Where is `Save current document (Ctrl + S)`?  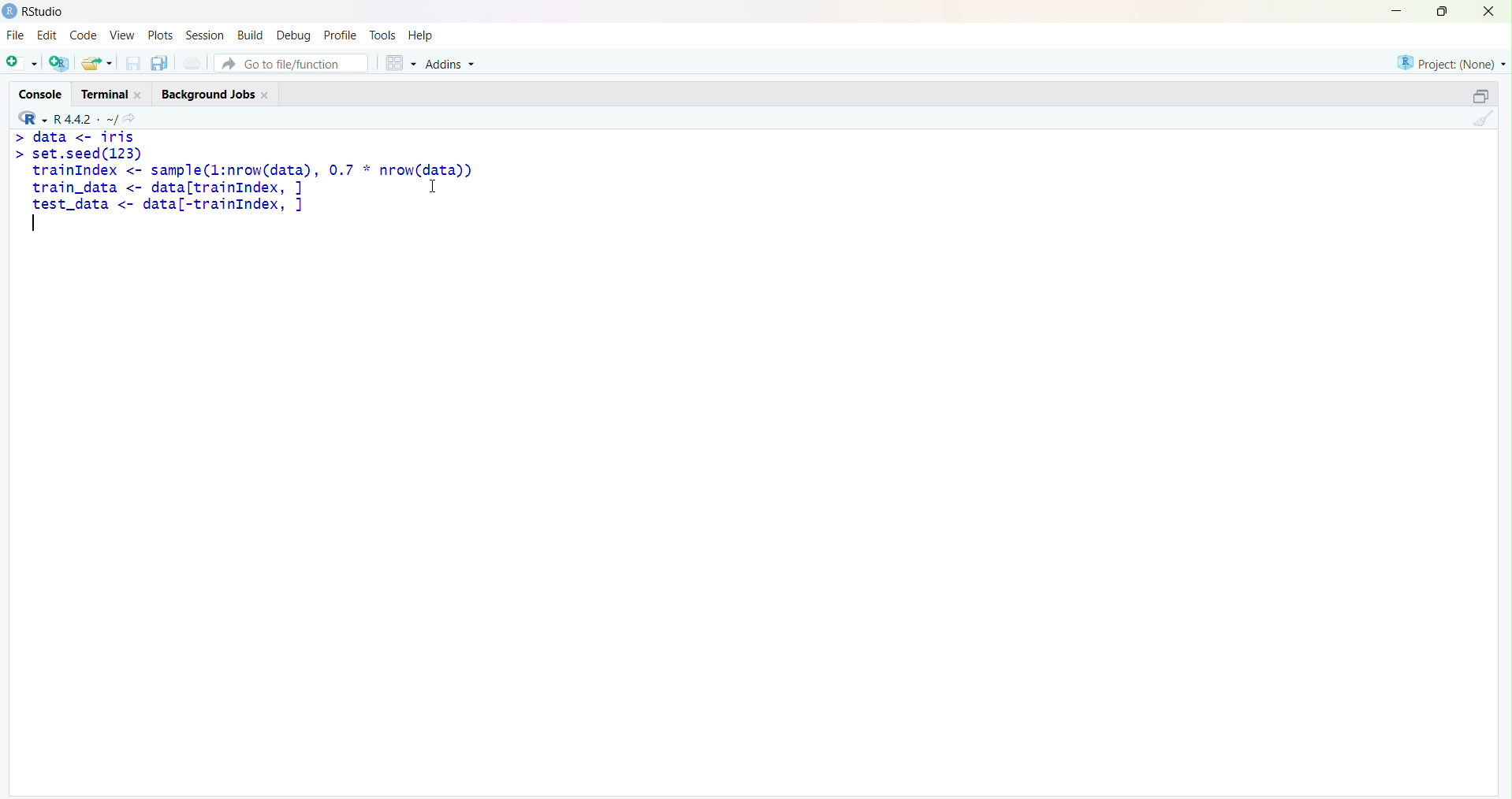
Save current document (Ctrl + S) is located at coordinates (132, 64).